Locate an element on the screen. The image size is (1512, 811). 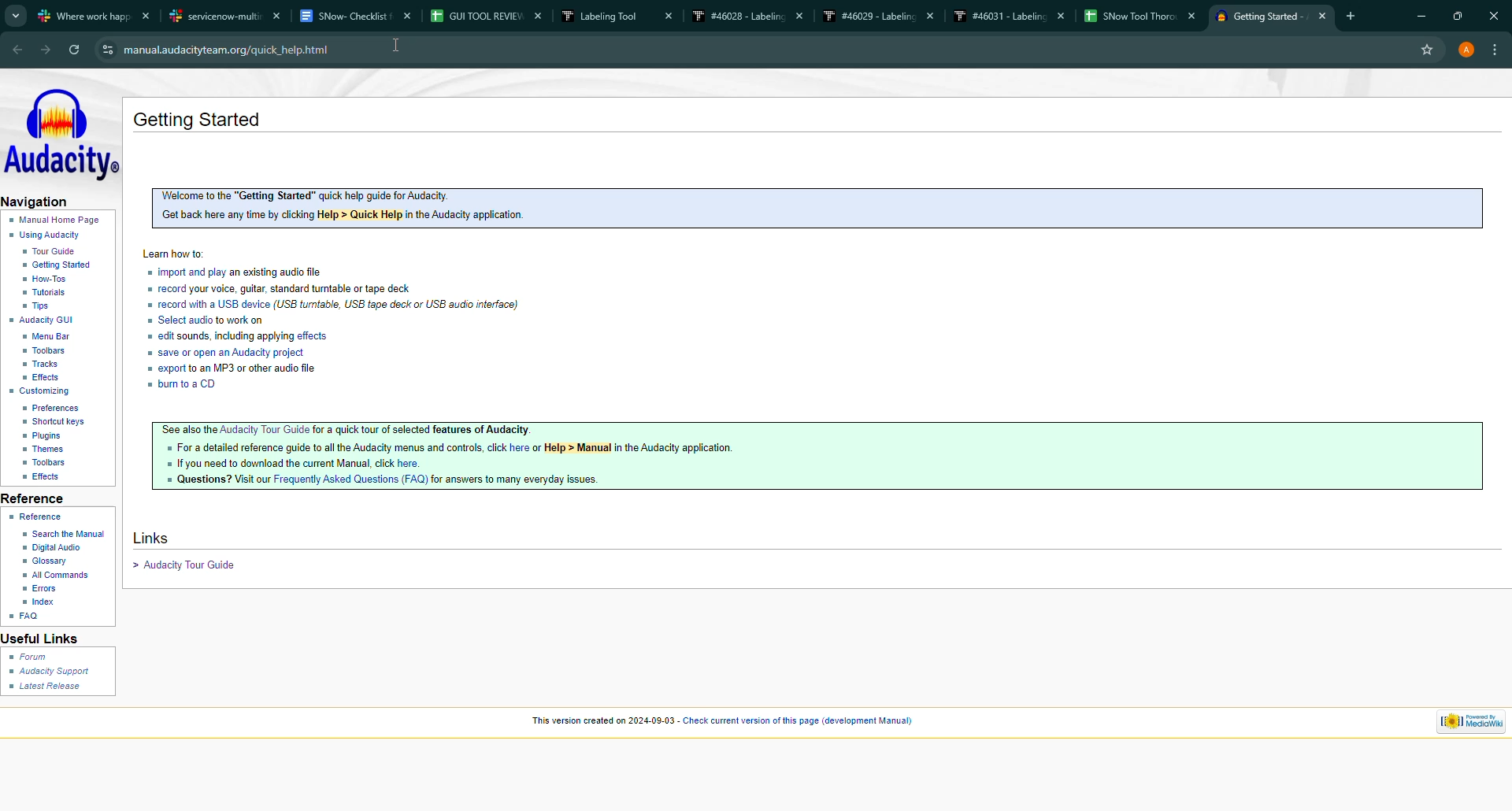
guide is located at coordinates (50, 252).